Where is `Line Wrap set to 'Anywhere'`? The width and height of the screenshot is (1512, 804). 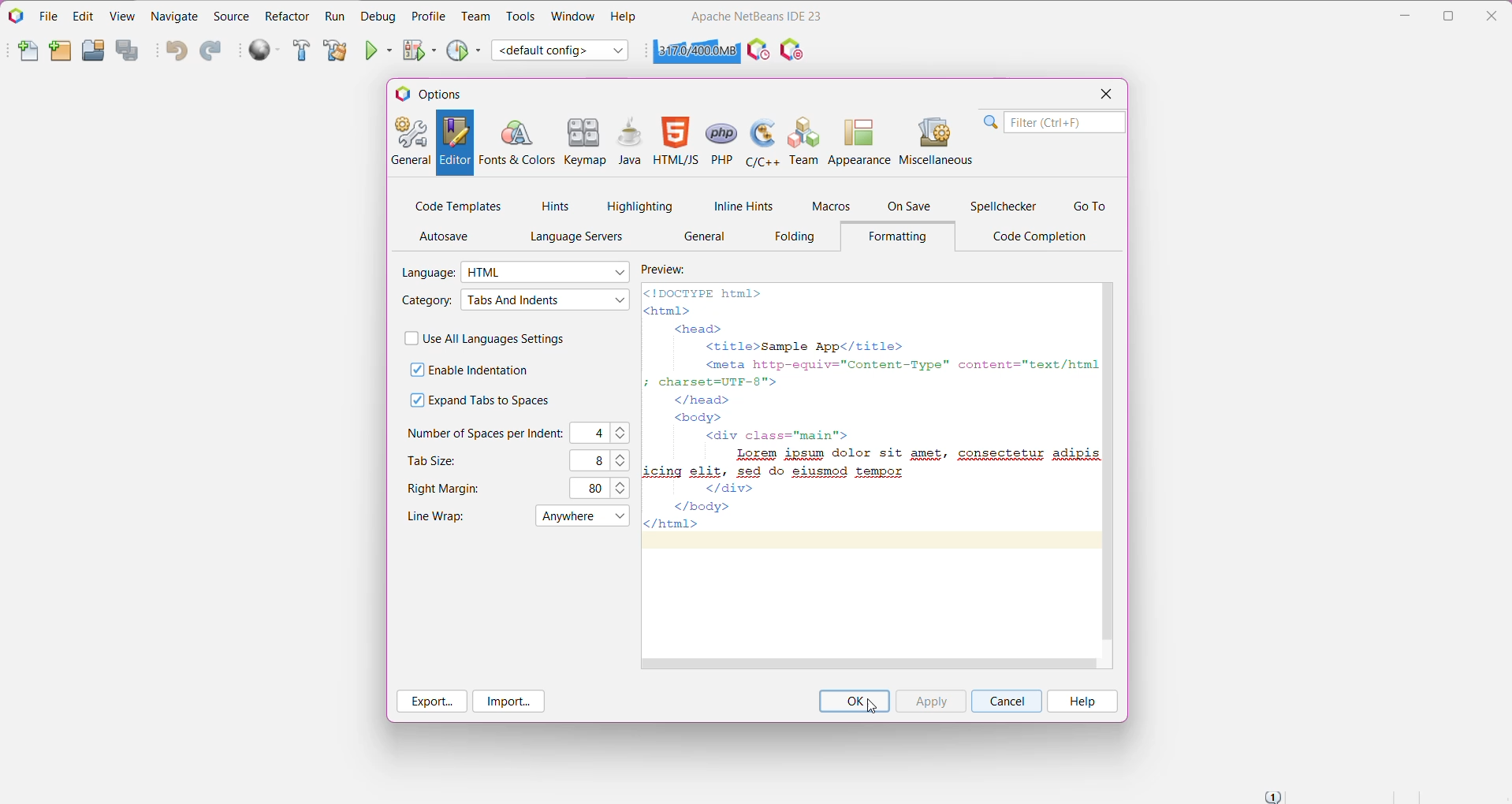
Line Wrap set to 'Anywhere' is located at coordinates (434, 516).